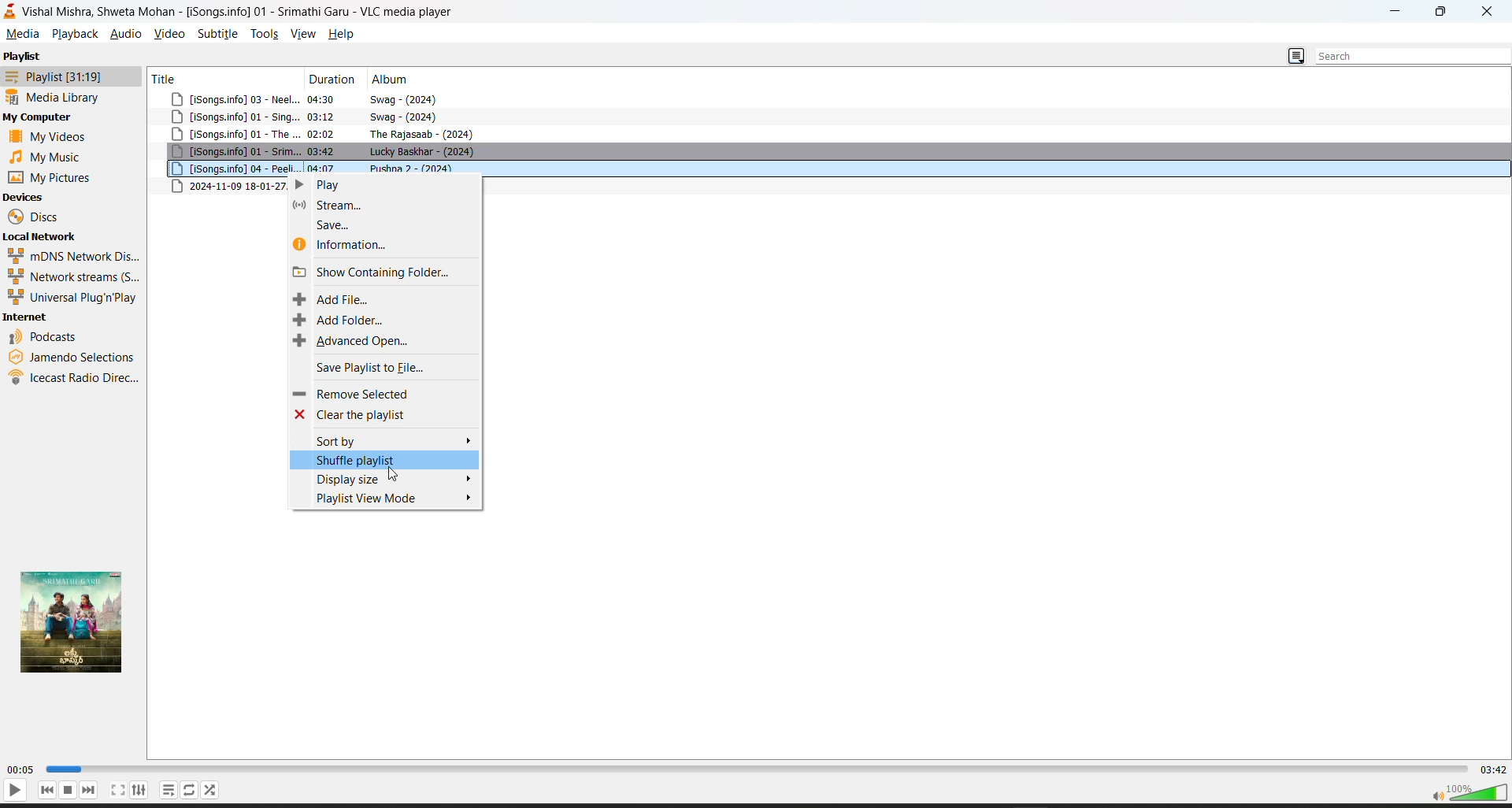 The width and height of the screenshot is (1512, 808). Describe the element at coordinates (331, 206) in the screenshot. I see `stream` at that location.